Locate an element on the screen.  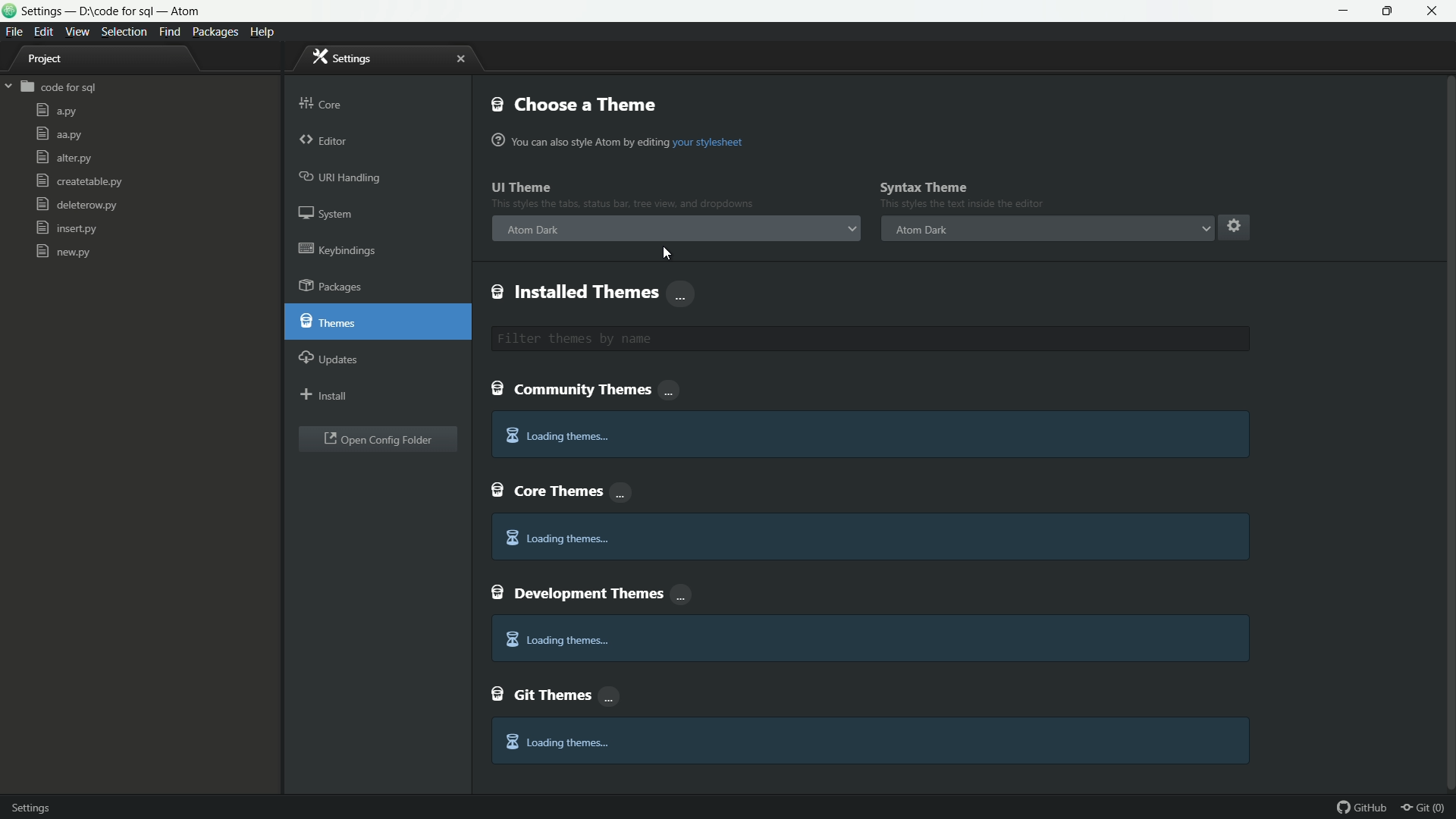
alter.py file is located at coordinates (63, 157).